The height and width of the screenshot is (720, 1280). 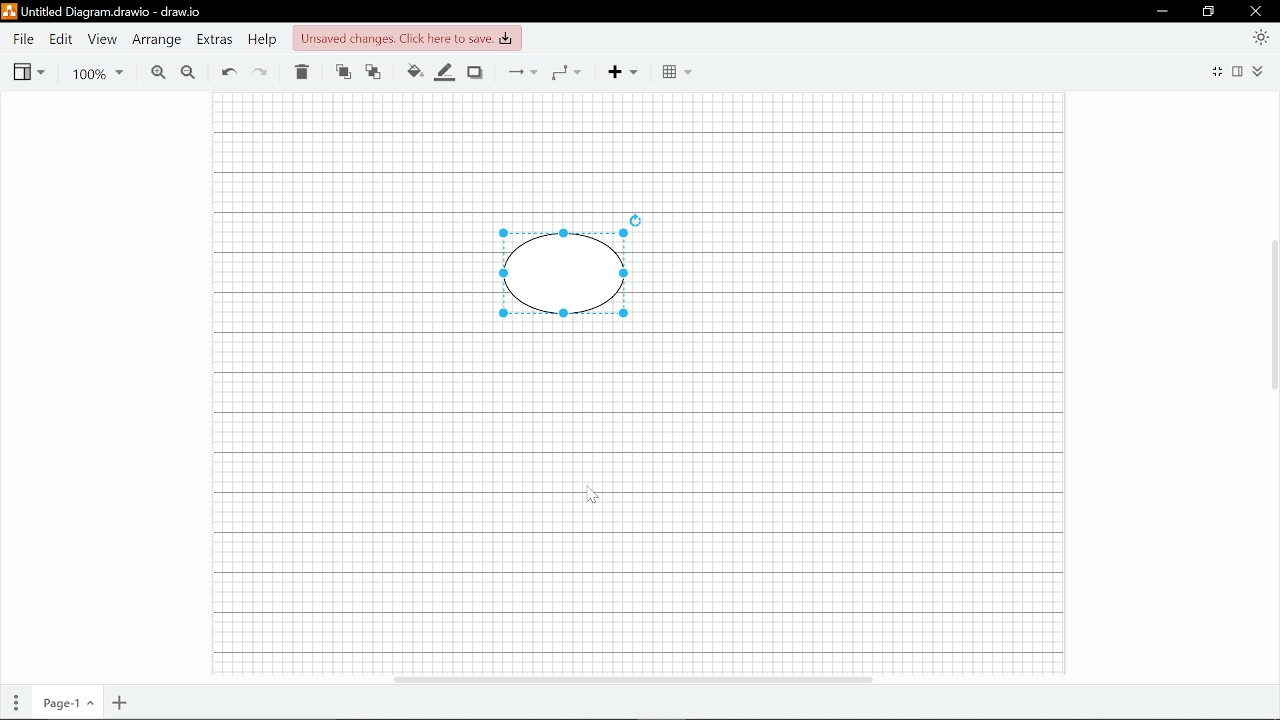 I want to click on Format, so click(x=1240, y=71).